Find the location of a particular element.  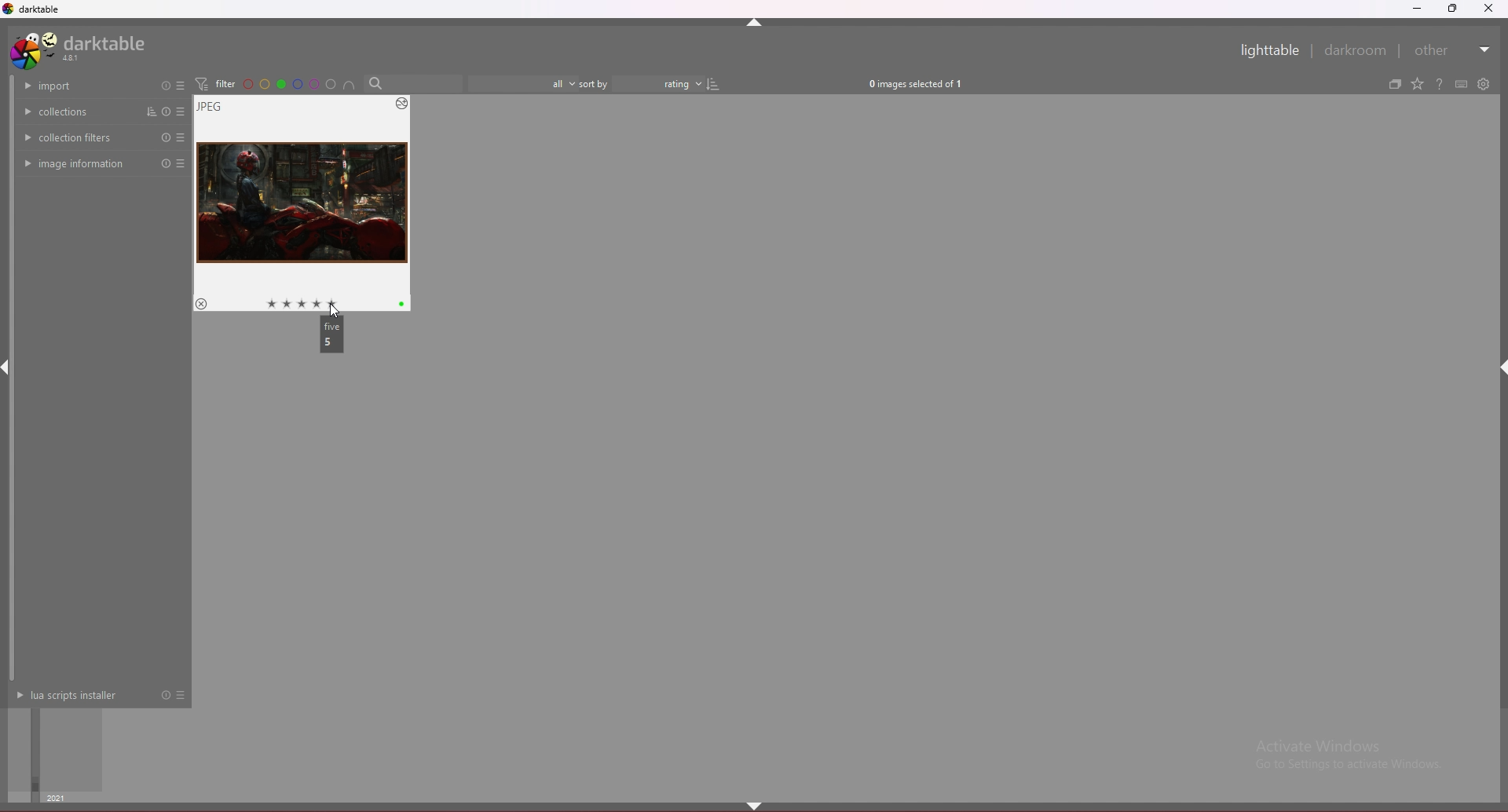

reset is located at coordinates (166, 137).